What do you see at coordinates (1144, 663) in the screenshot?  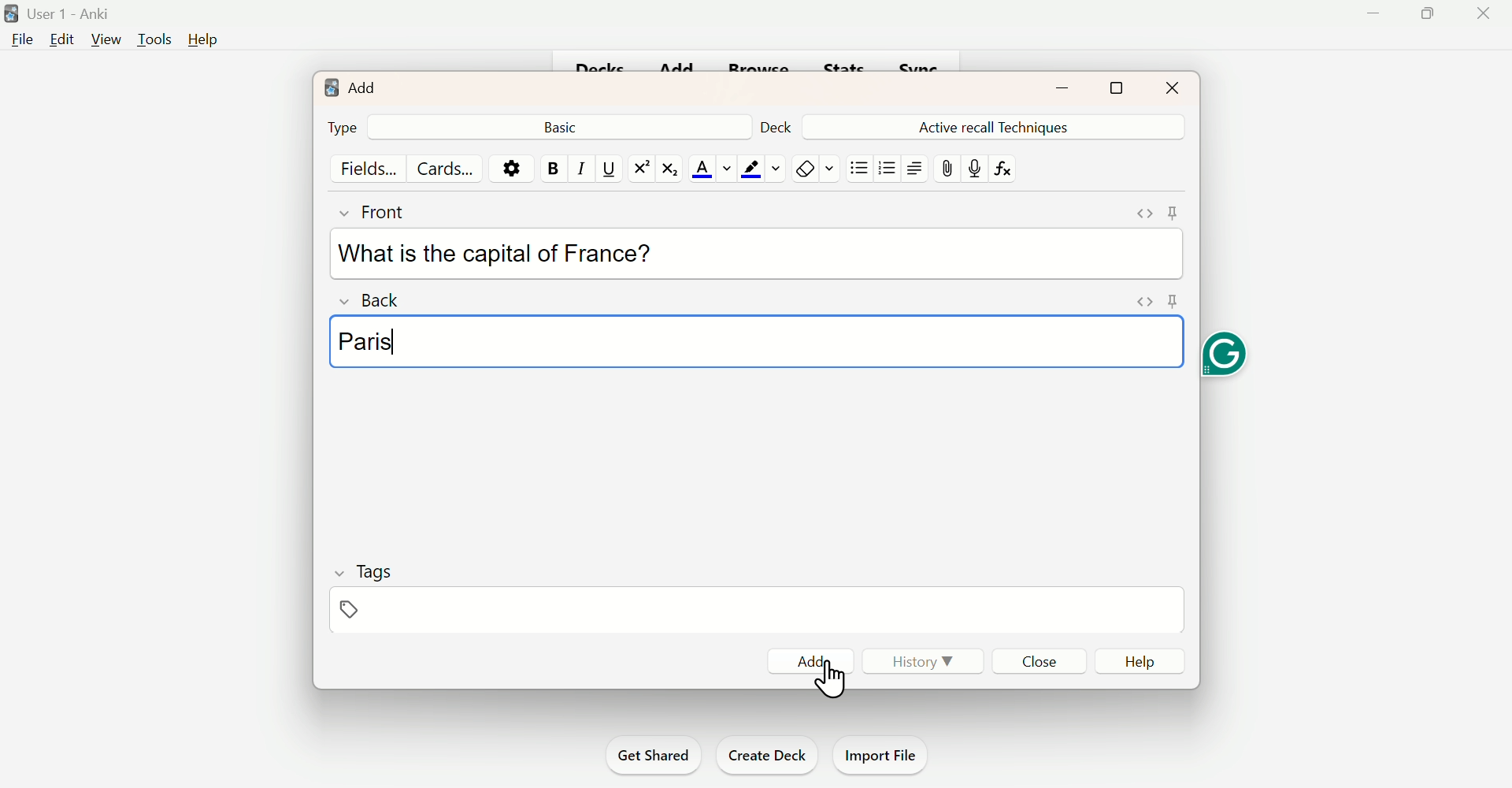 I see `Help` at bounding box center [1144, 663].